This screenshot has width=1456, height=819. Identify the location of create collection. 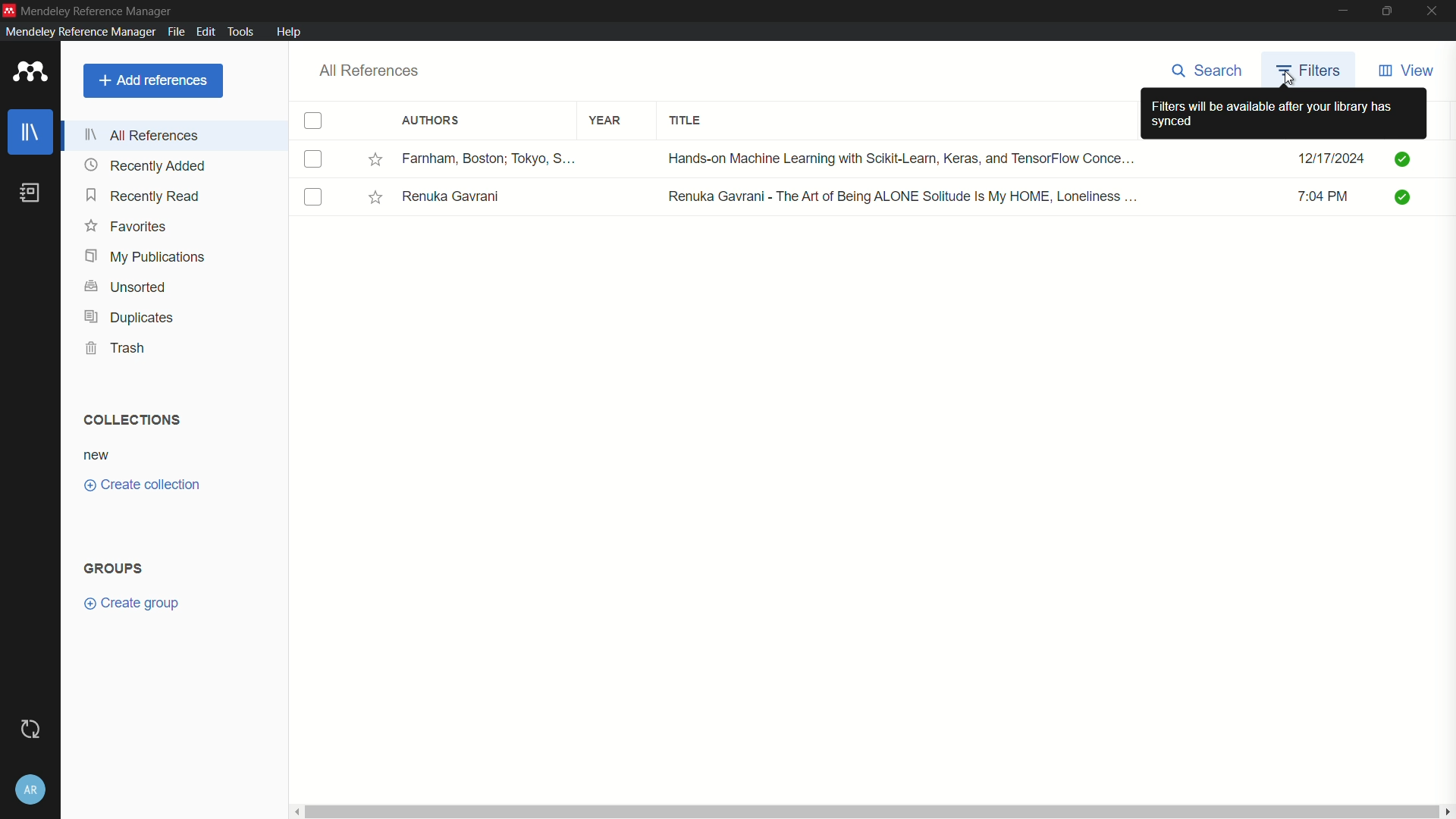
(143, 484).